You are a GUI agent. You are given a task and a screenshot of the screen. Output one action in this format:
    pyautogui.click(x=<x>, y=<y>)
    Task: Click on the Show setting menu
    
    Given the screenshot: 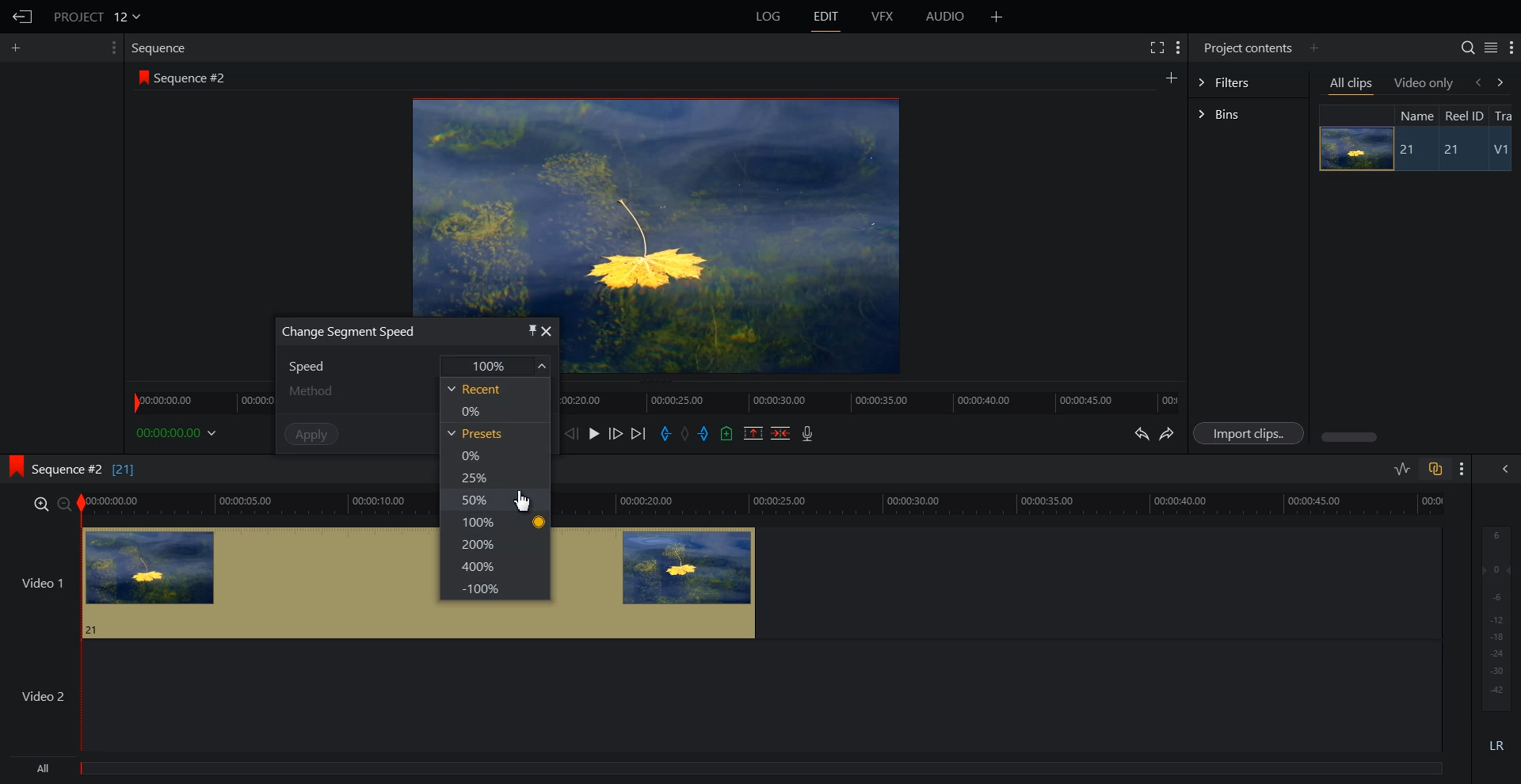 What is the action you would take?
    pyautogui.click(x=112, y=48)
    